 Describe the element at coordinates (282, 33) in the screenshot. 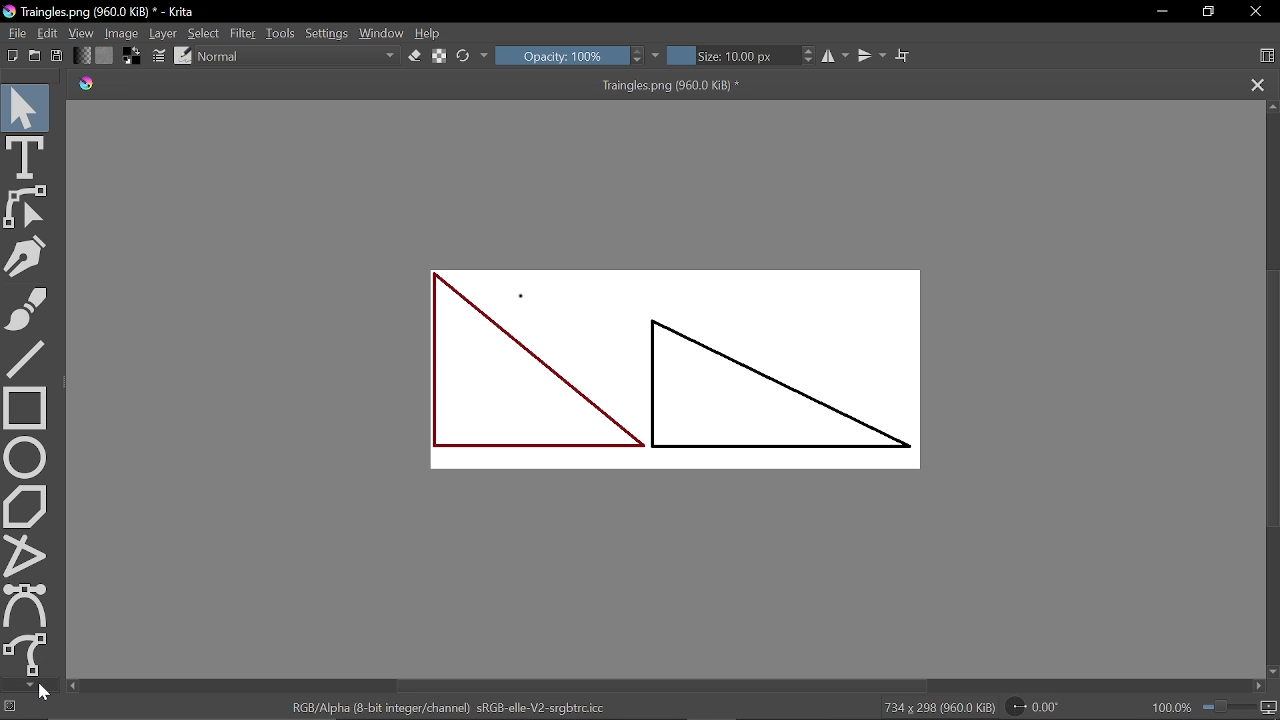

I see `Tools` at that location.